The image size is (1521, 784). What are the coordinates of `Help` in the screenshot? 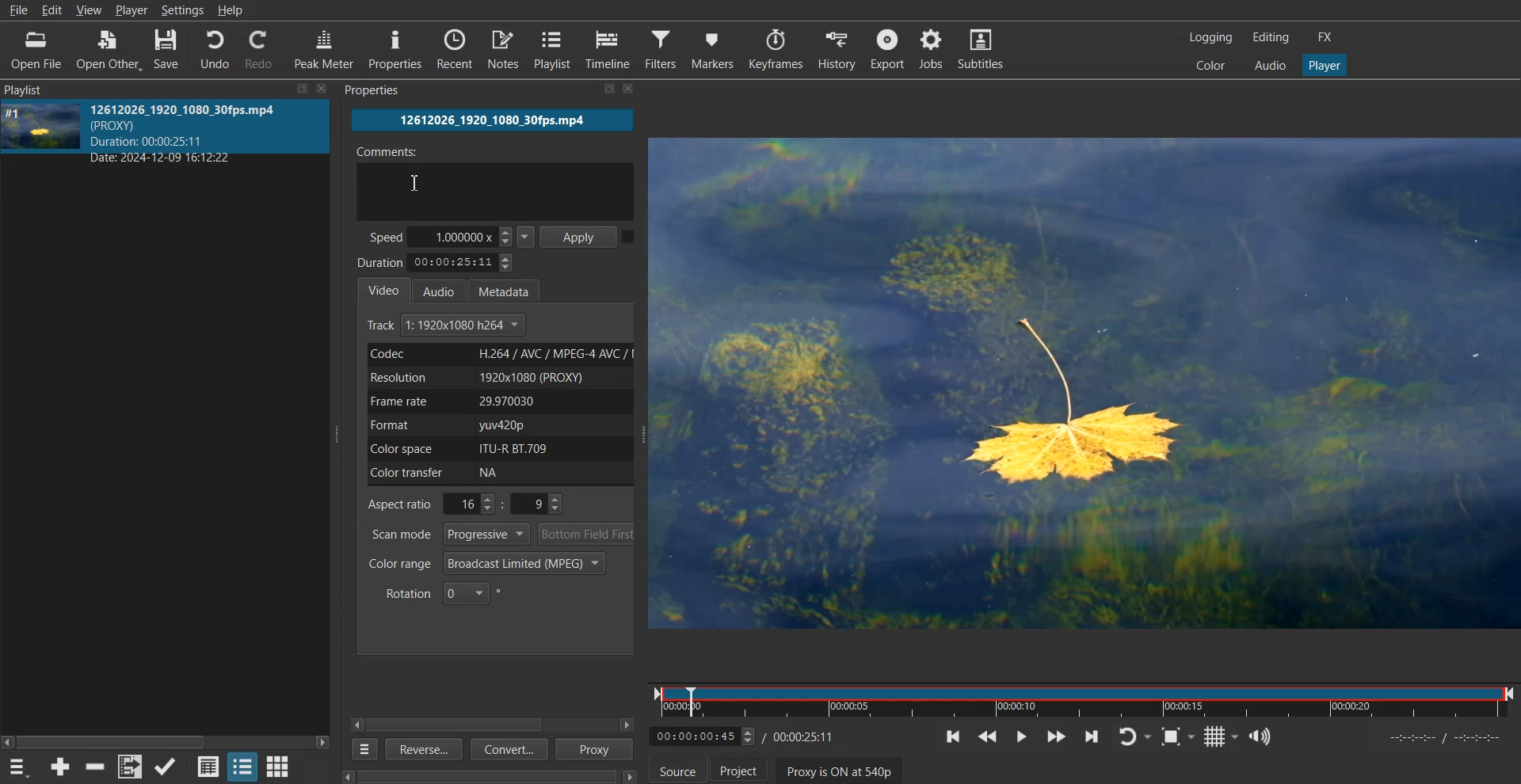 It's located at (231, 10).